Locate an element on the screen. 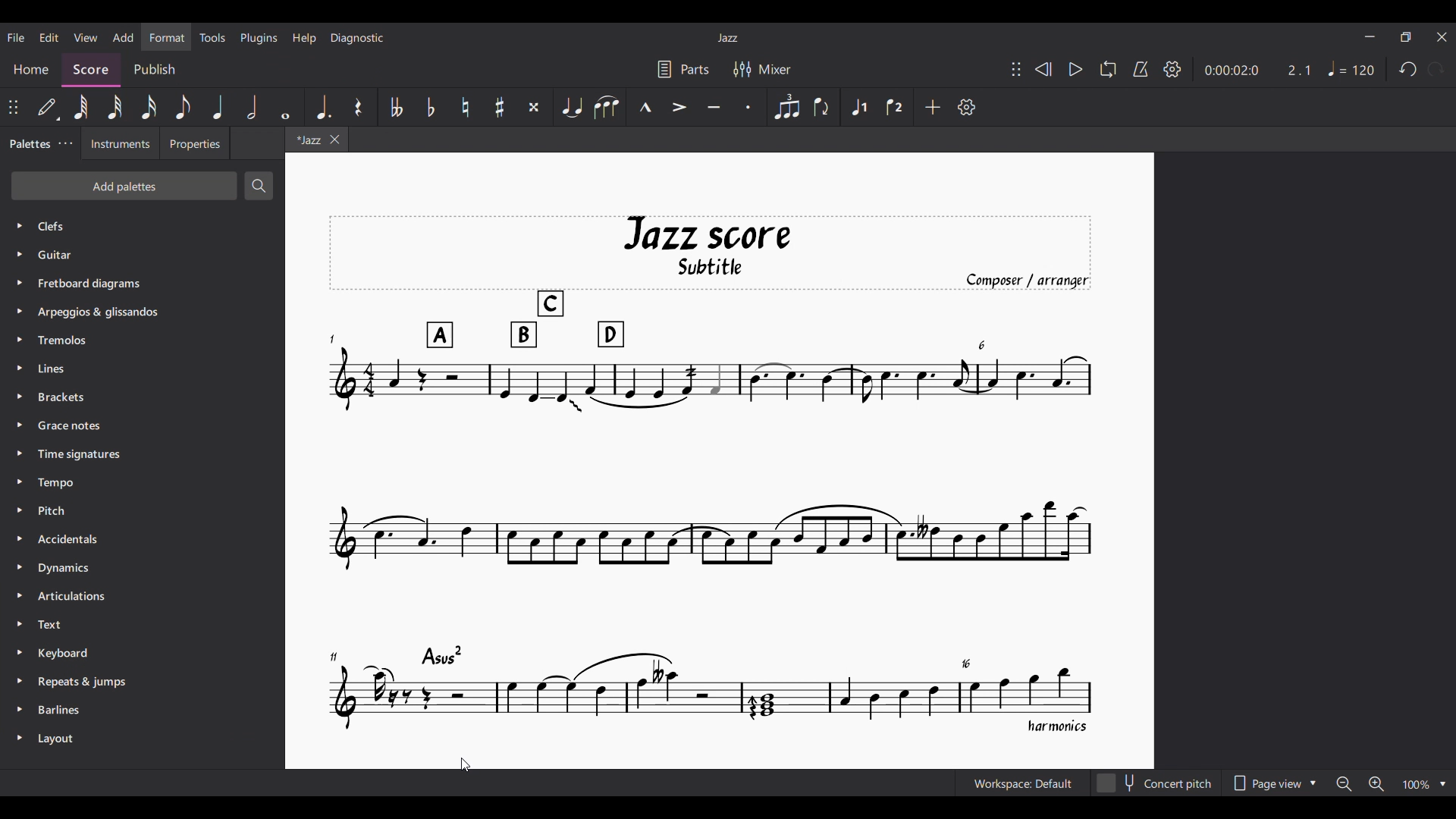  Home is located at coordinates (31, 69).